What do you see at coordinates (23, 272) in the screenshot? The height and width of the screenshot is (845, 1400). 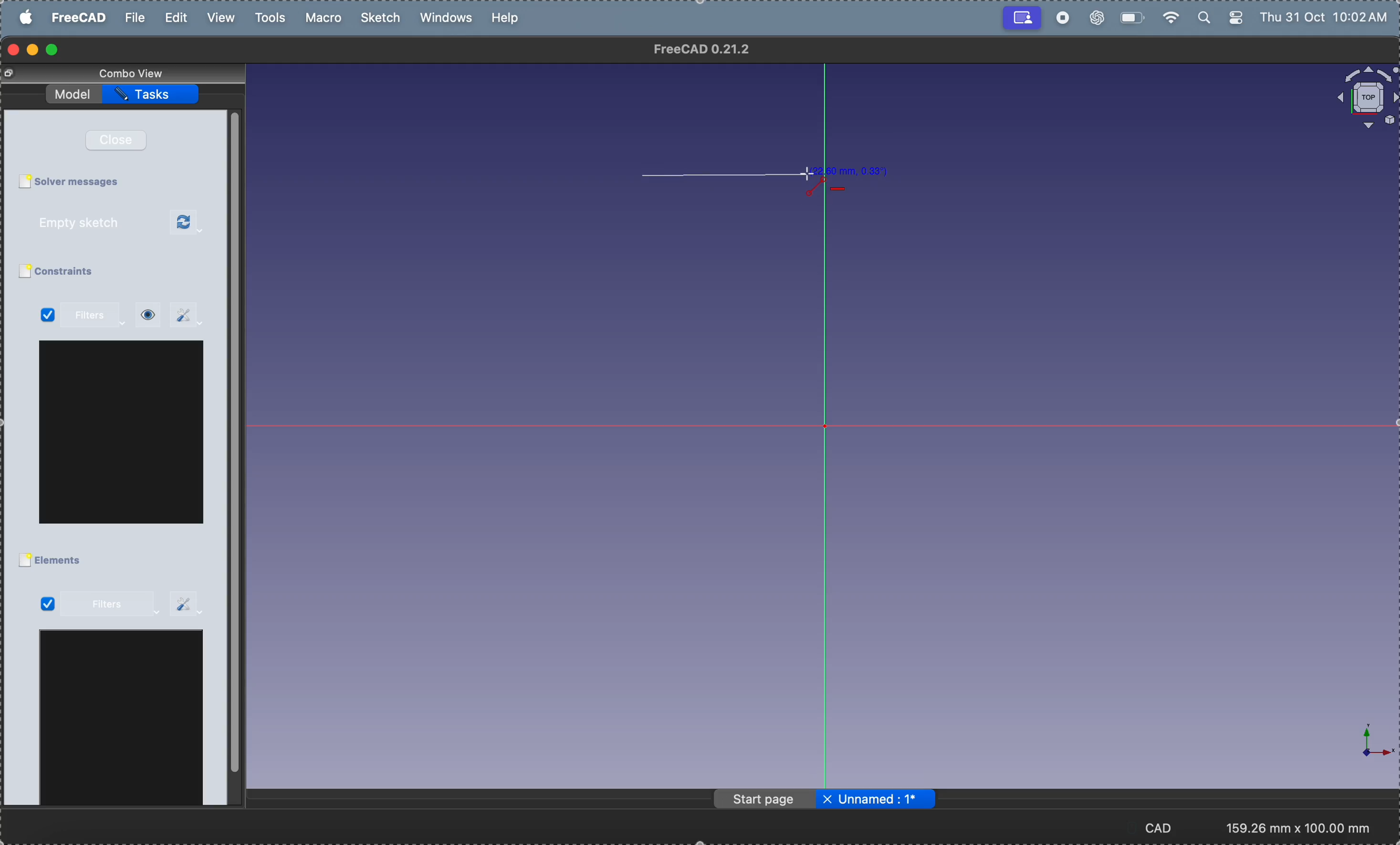 I see `Checkbox` at bounding box center [23, 272].